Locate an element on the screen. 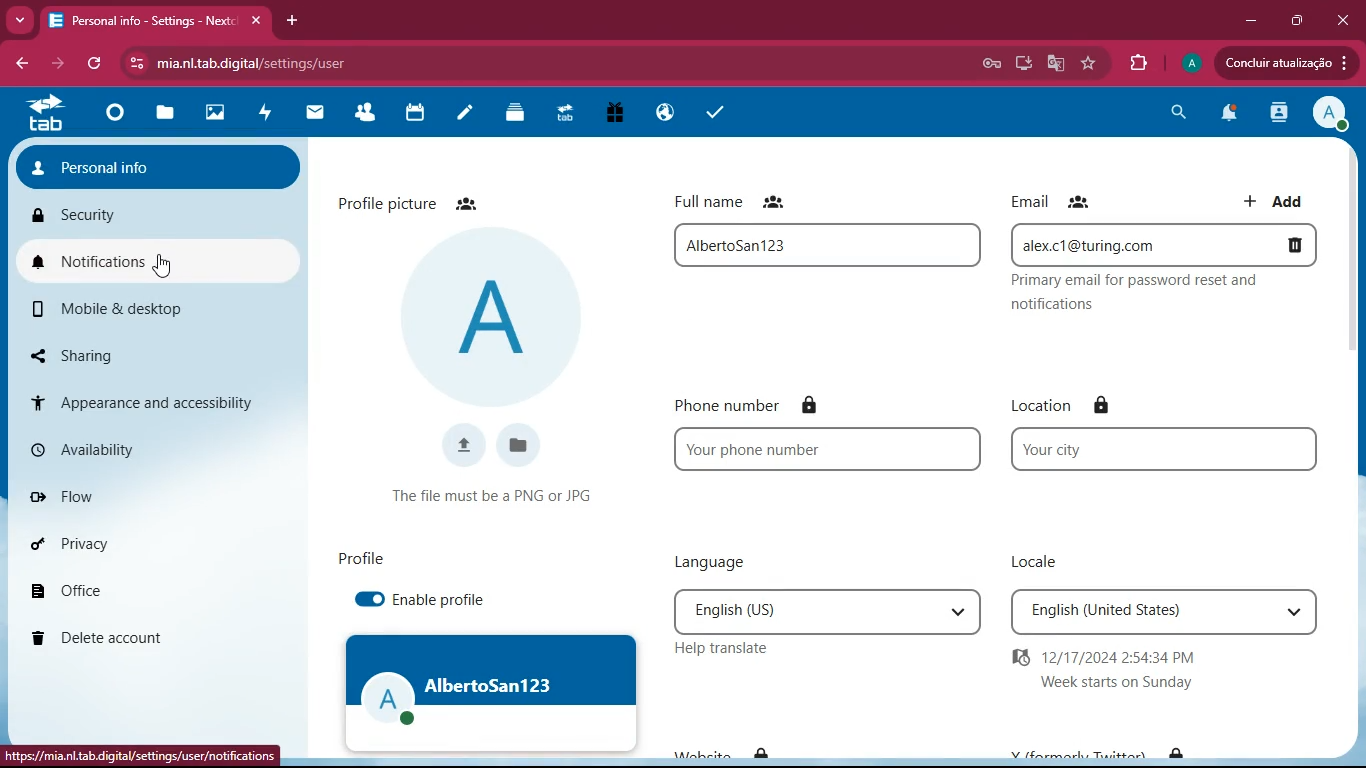 Image resolution: width=1366 pixels, height=768 pixels. url is located at coordinates (287, 60).